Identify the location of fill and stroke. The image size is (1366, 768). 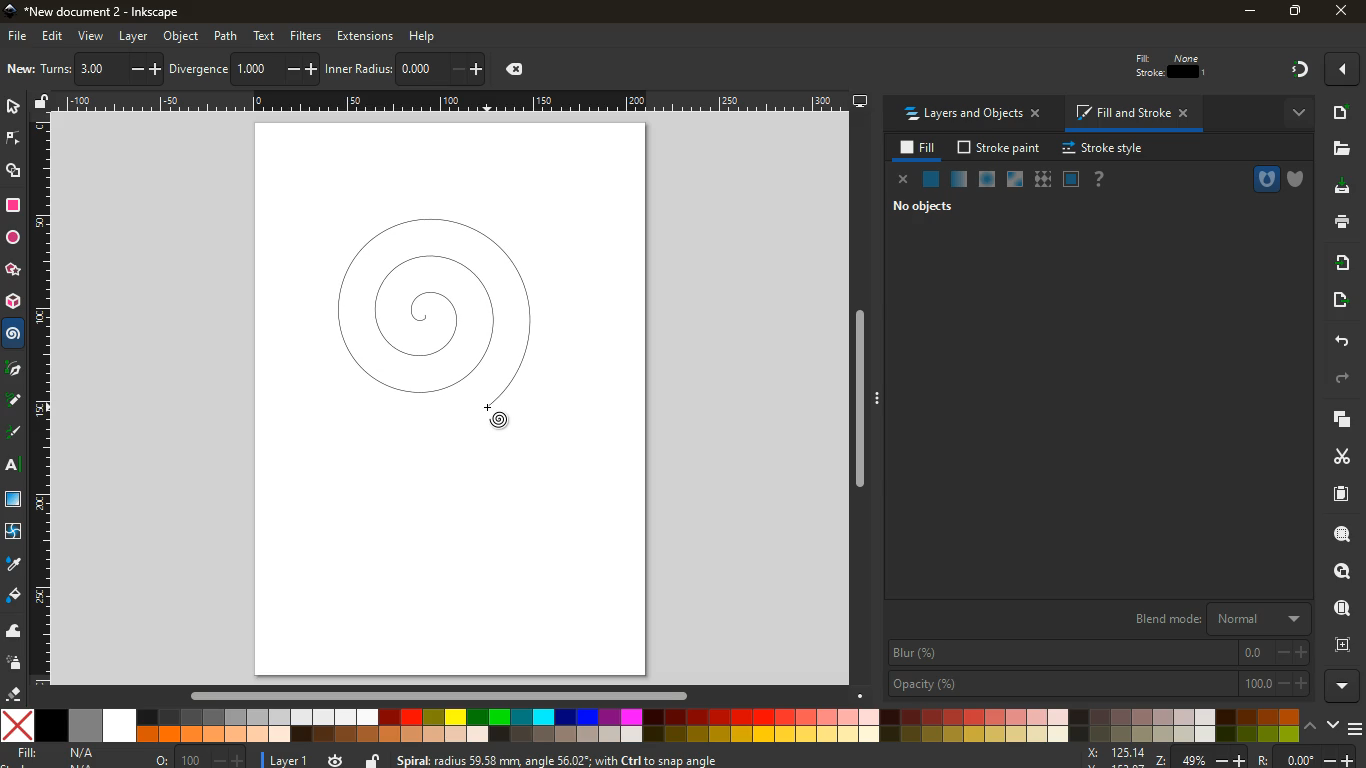
(1131, 114).